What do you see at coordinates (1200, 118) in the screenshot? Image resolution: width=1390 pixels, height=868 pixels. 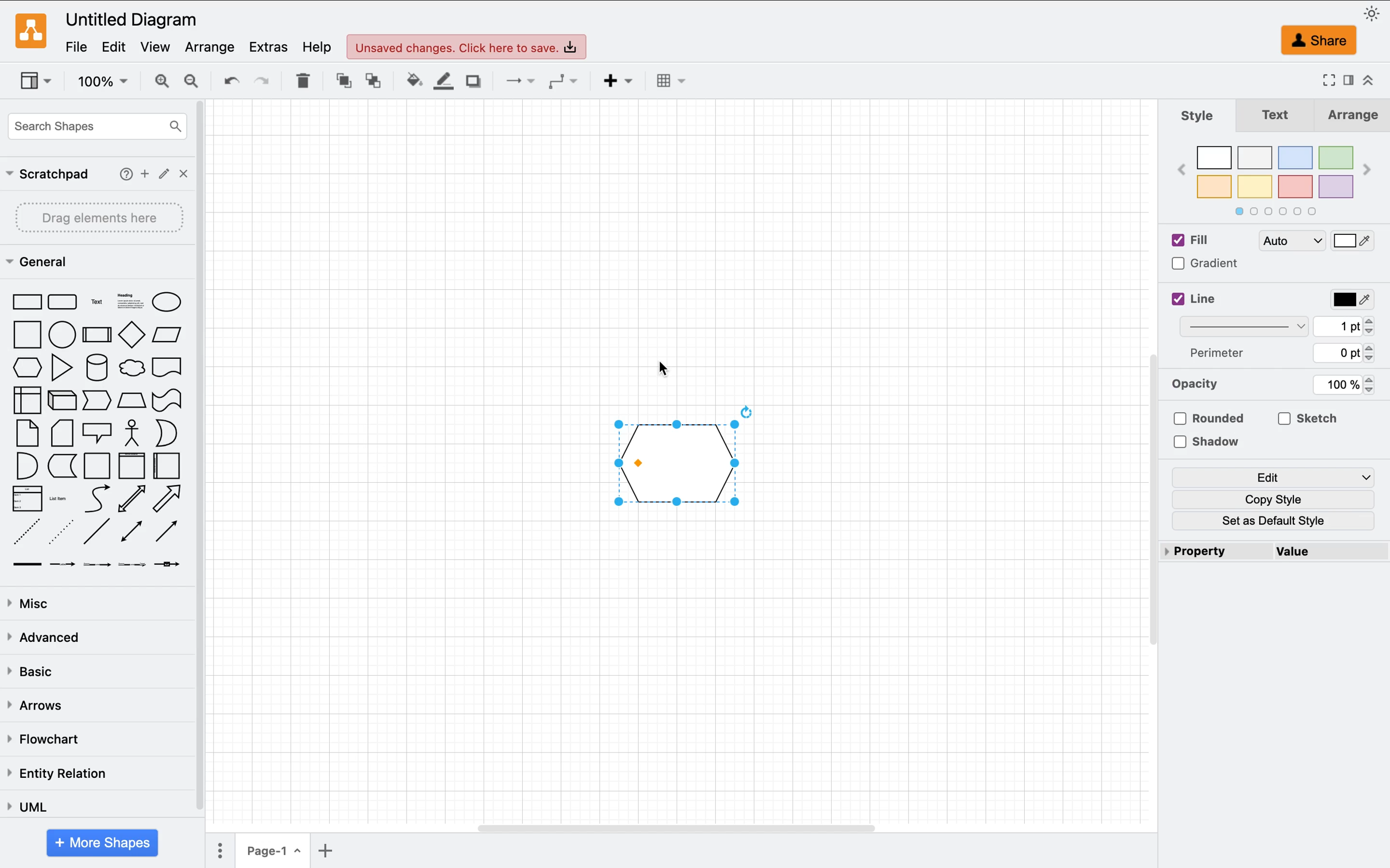 I see `Style` at bounding box center [1200, 118].